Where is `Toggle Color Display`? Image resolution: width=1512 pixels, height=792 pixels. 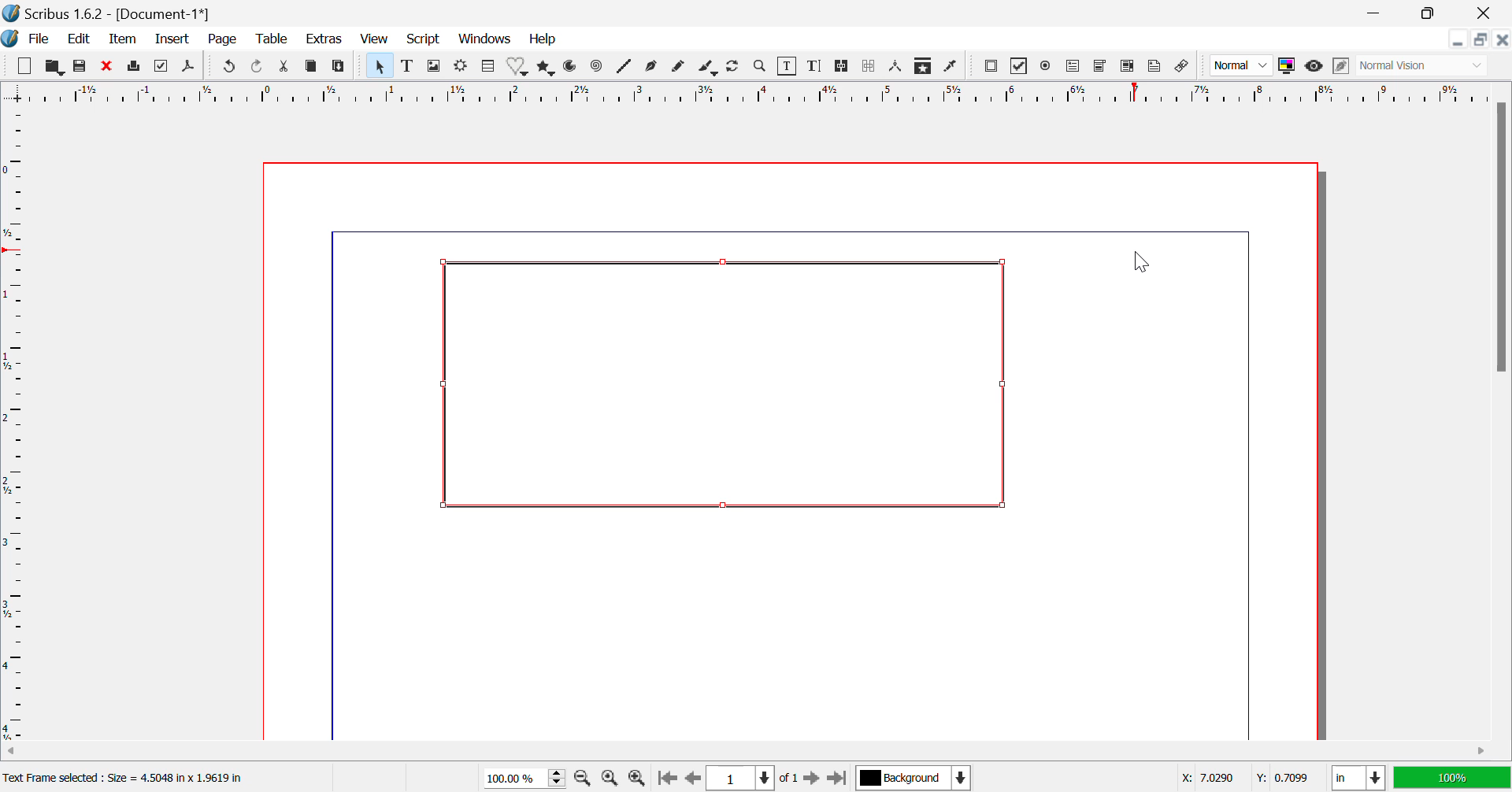 Toggle Color Display is located at coordinates (1289, 67).